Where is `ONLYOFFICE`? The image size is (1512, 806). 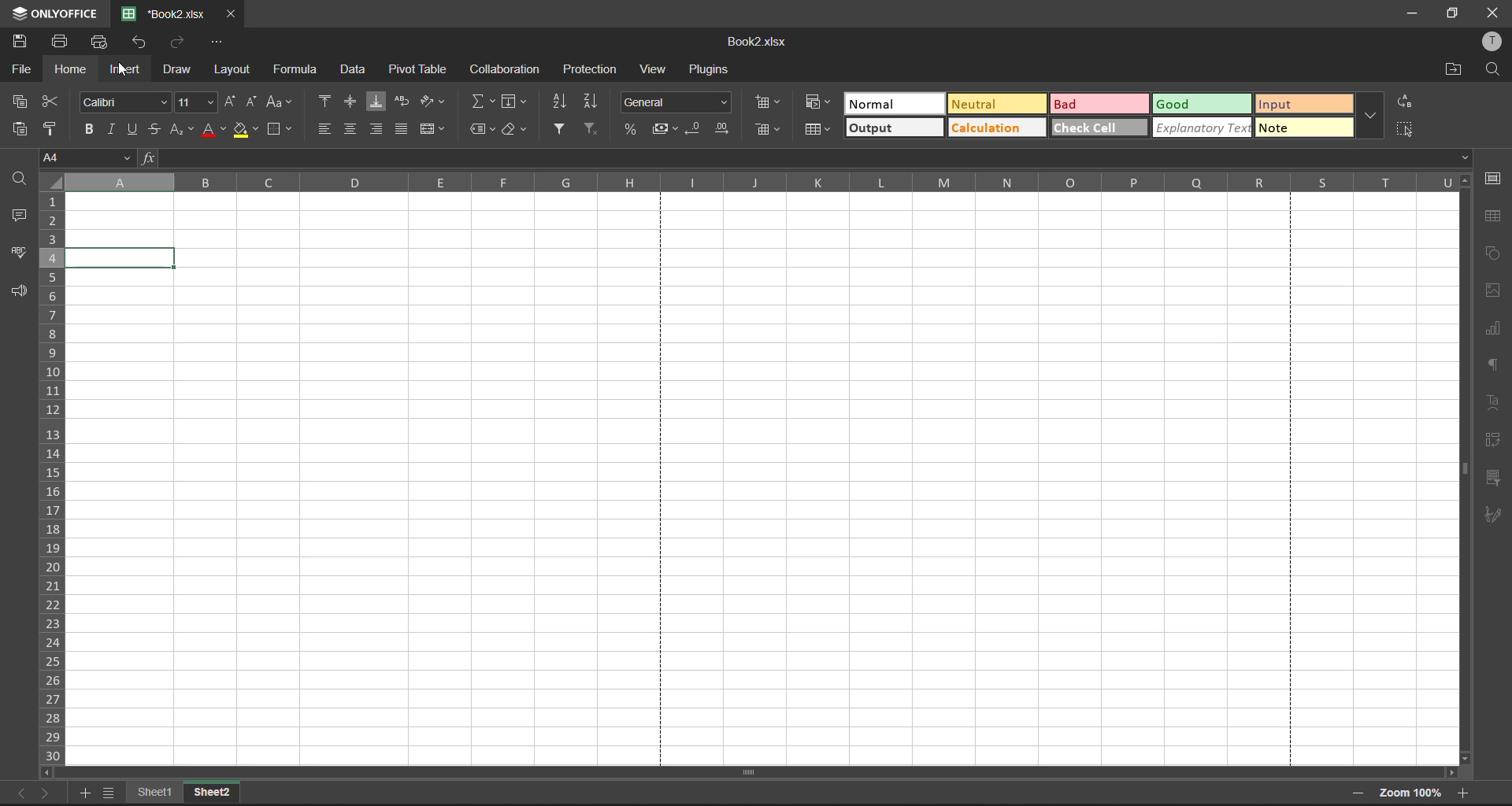 ONLYOFFICE is located at coordinates (70, 14).